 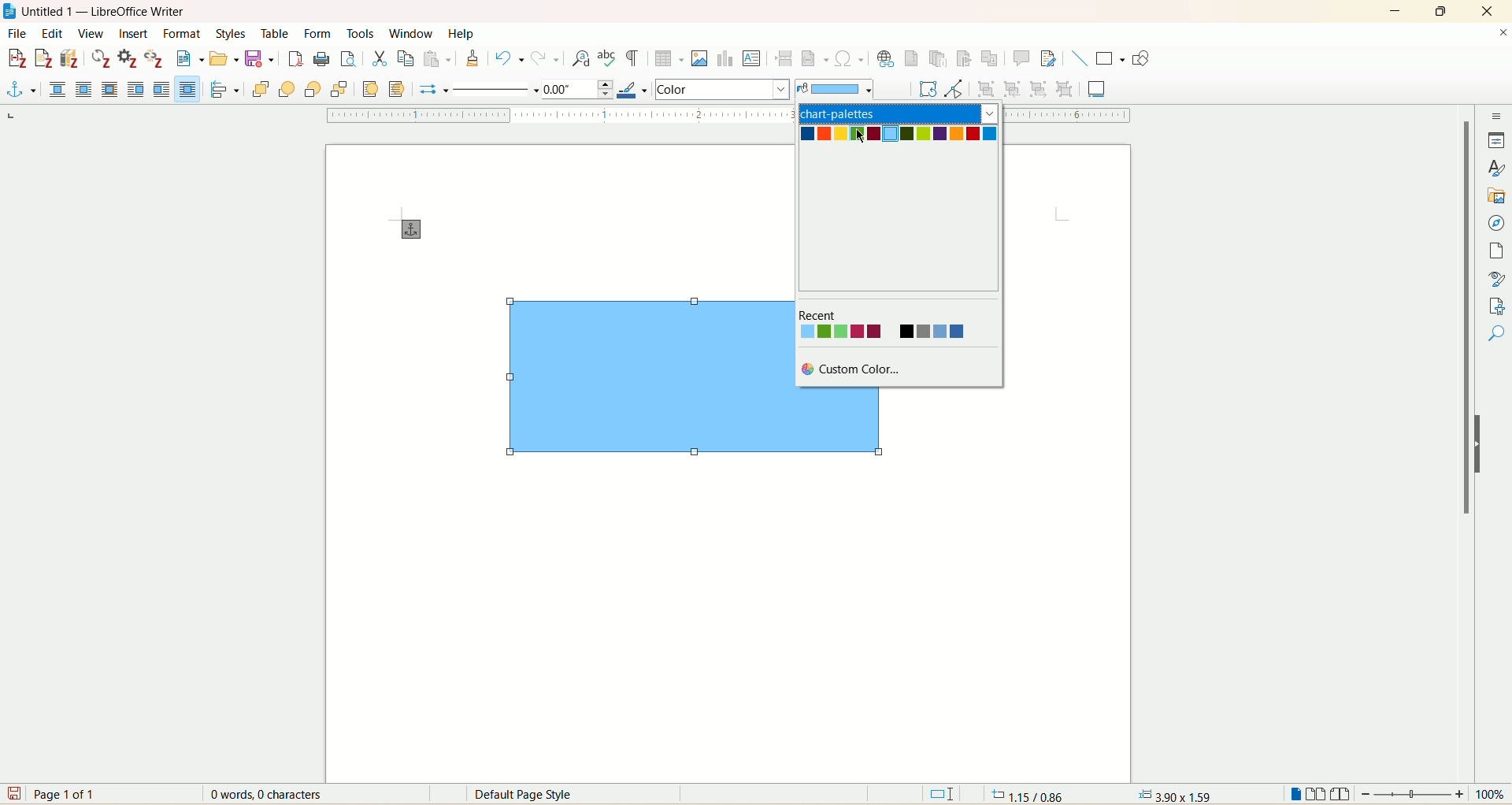 I want to click on line color, so click(x=631, y=90).